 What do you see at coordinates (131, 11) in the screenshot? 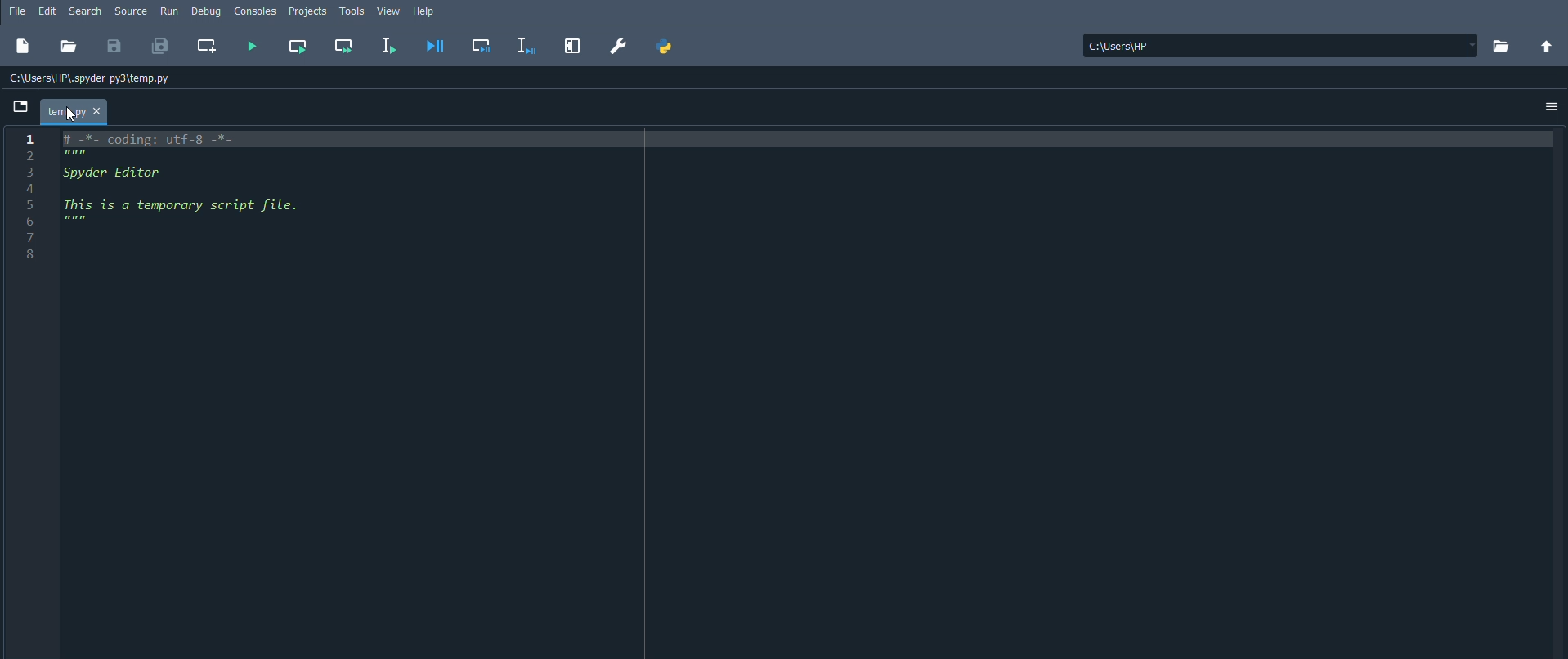
I see `Source` at bounding box center [131, 11].